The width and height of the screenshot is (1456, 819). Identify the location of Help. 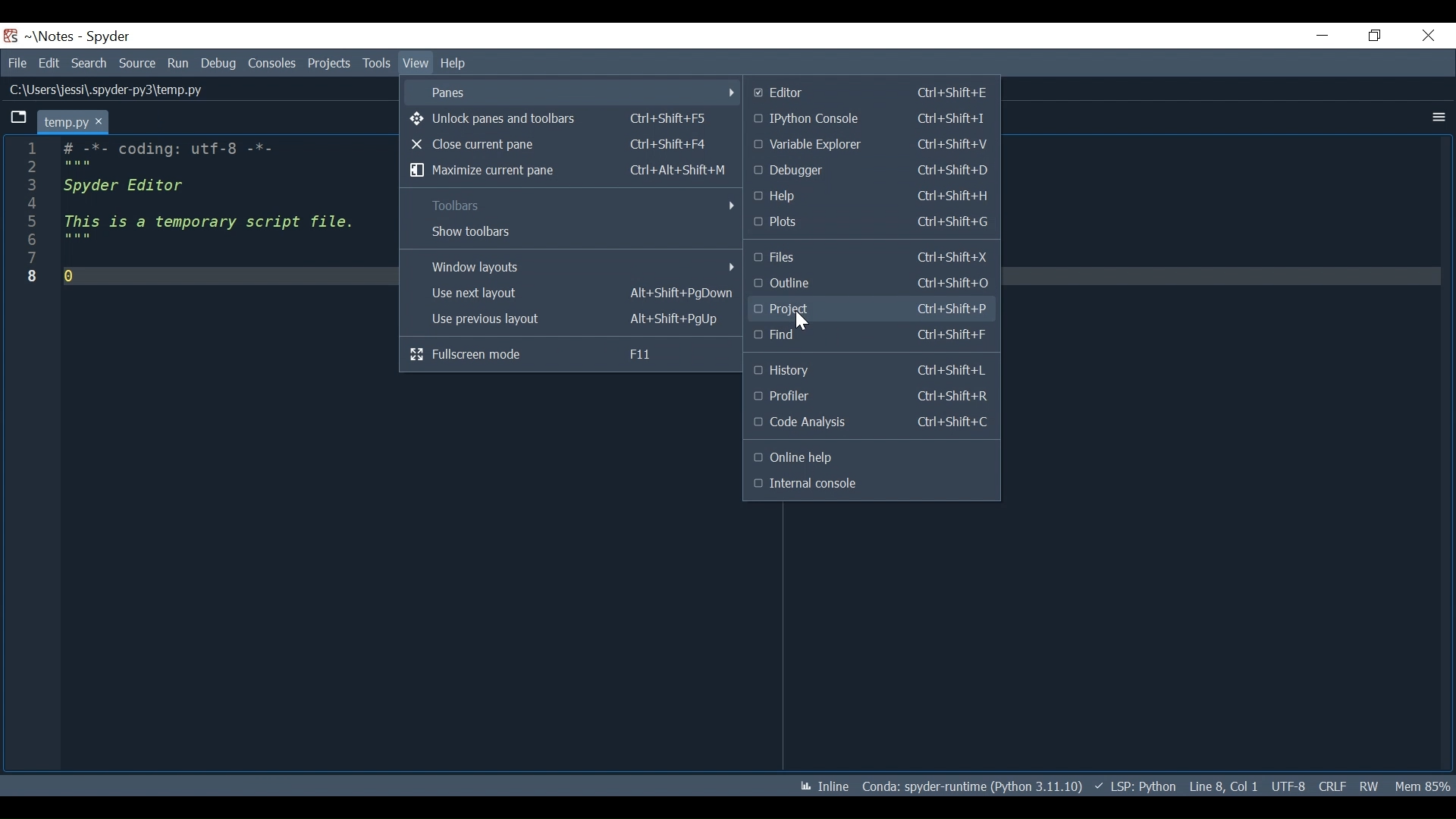
(454, 64).